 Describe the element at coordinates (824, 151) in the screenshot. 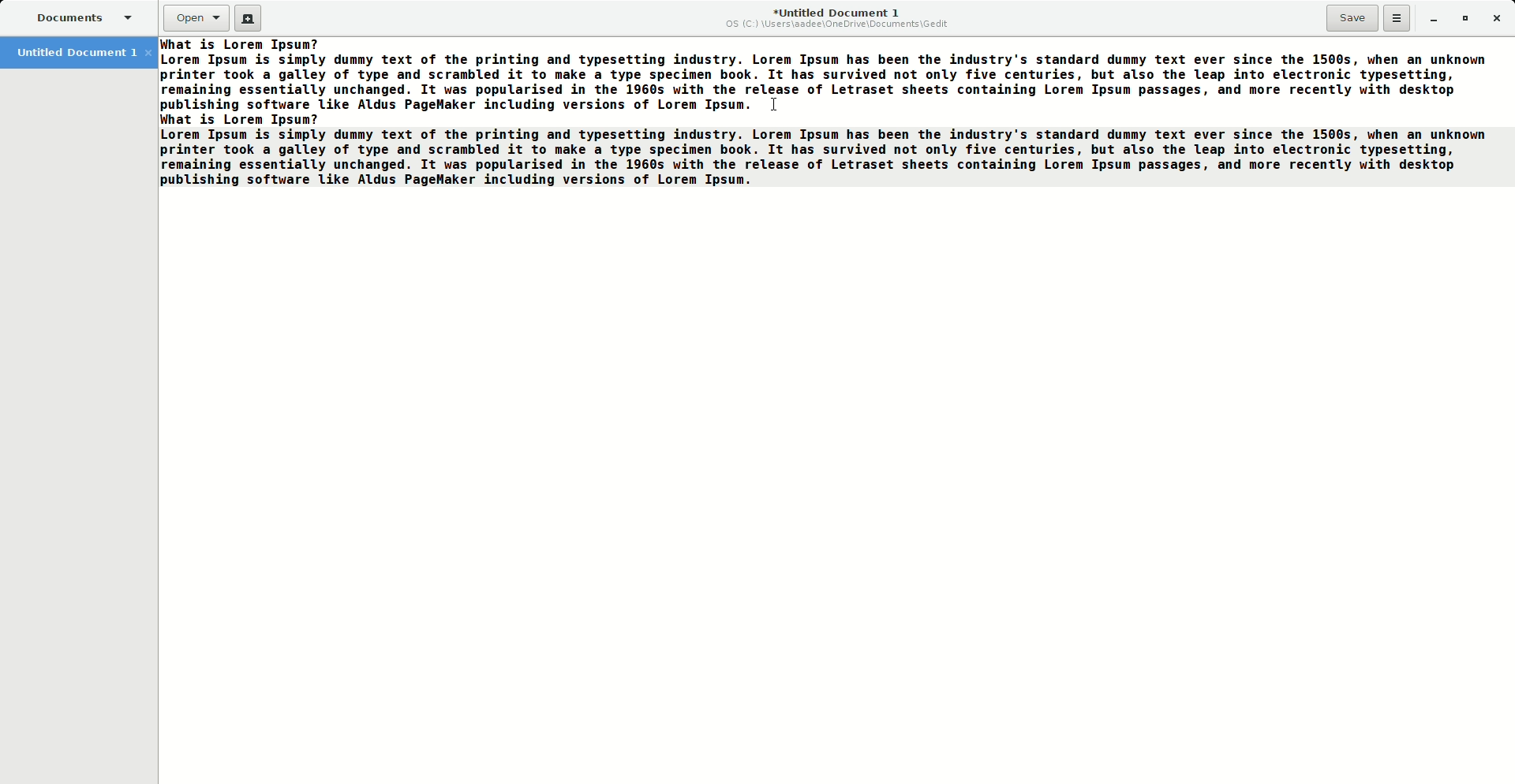

I see `Pasted text` at that location.